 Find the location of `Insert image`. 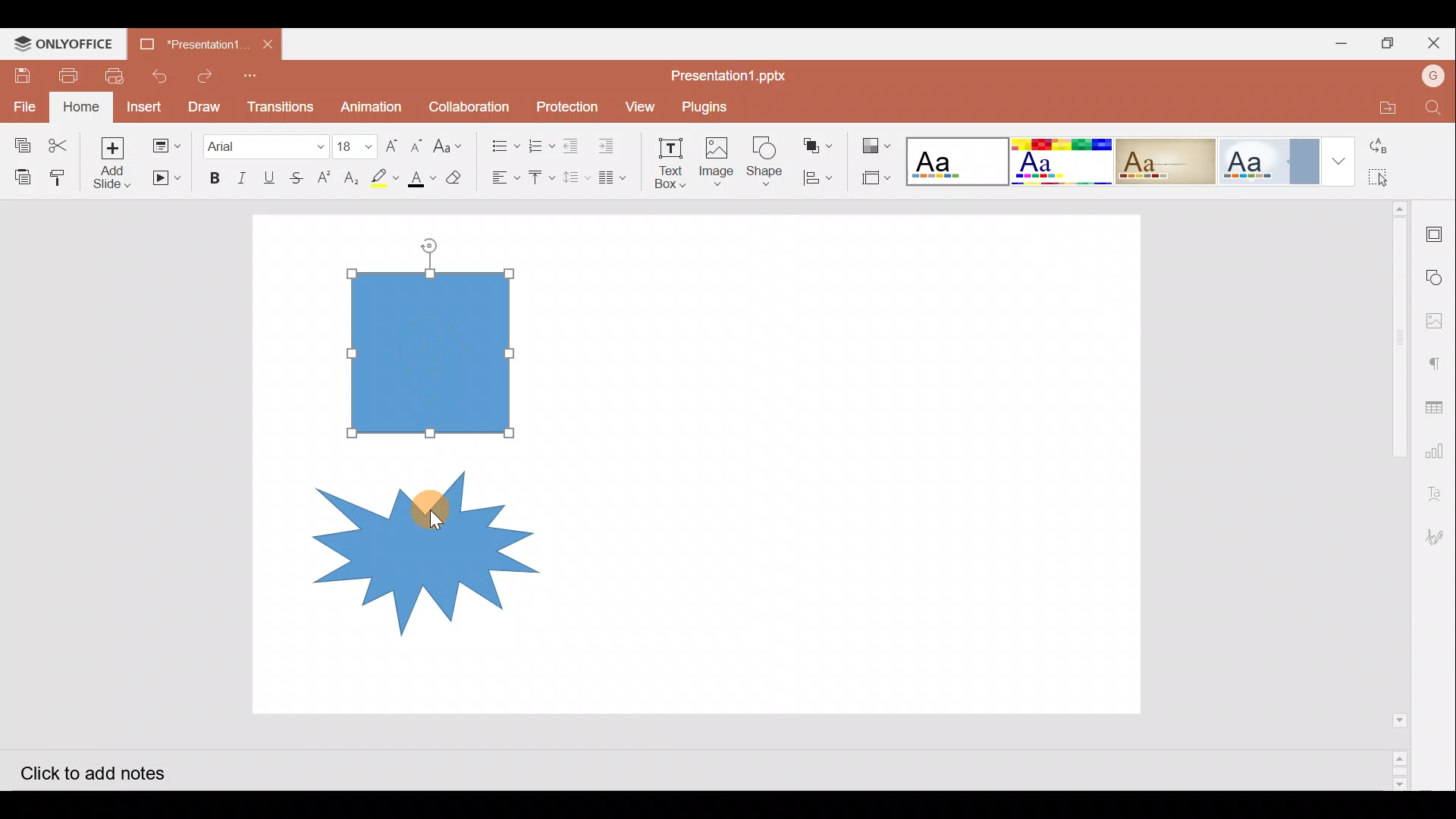

Insert image is located at coordinates (715, 155).